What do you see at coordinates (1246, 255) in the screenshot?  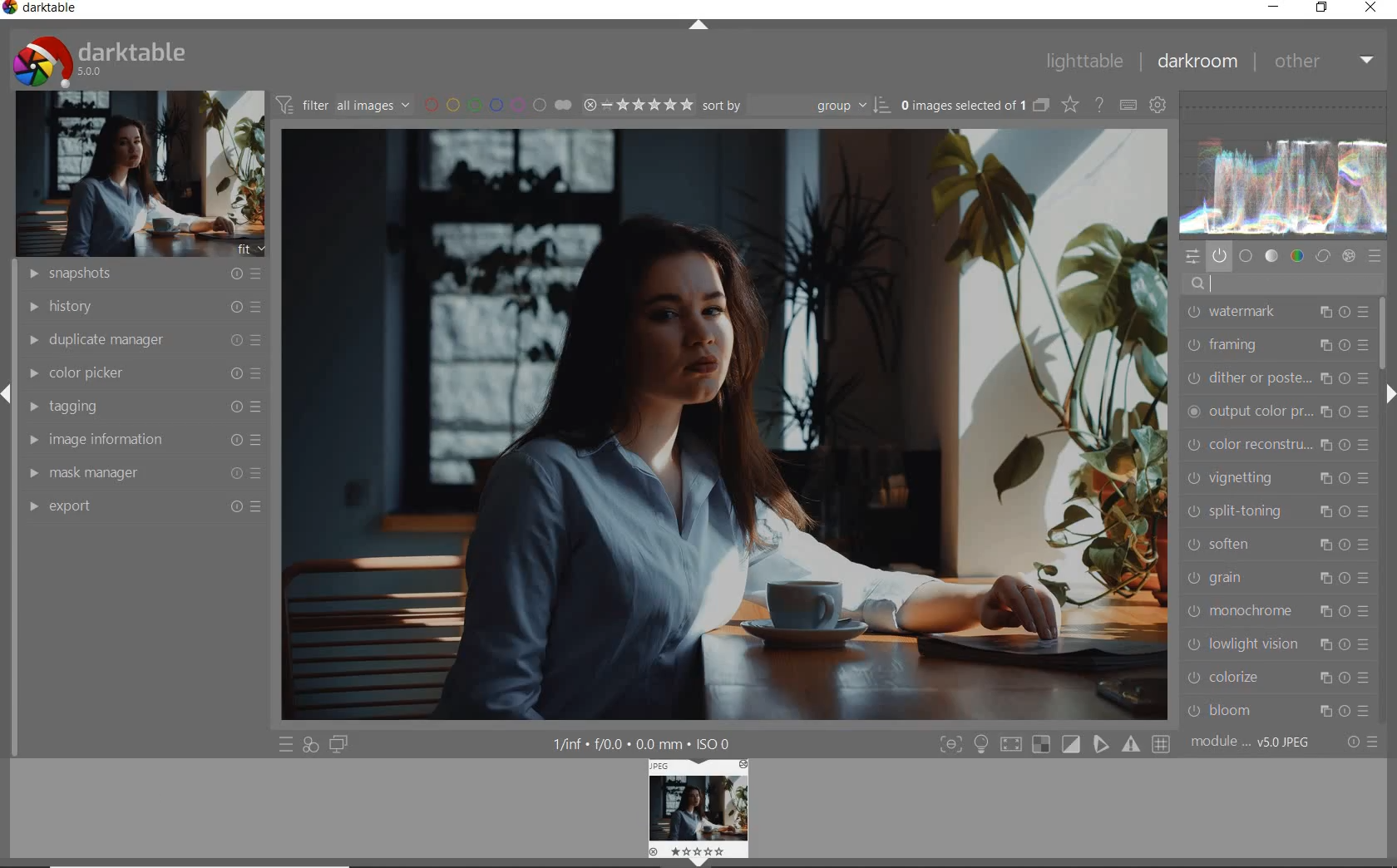 I see `base` at bounding box center [1246, 255].